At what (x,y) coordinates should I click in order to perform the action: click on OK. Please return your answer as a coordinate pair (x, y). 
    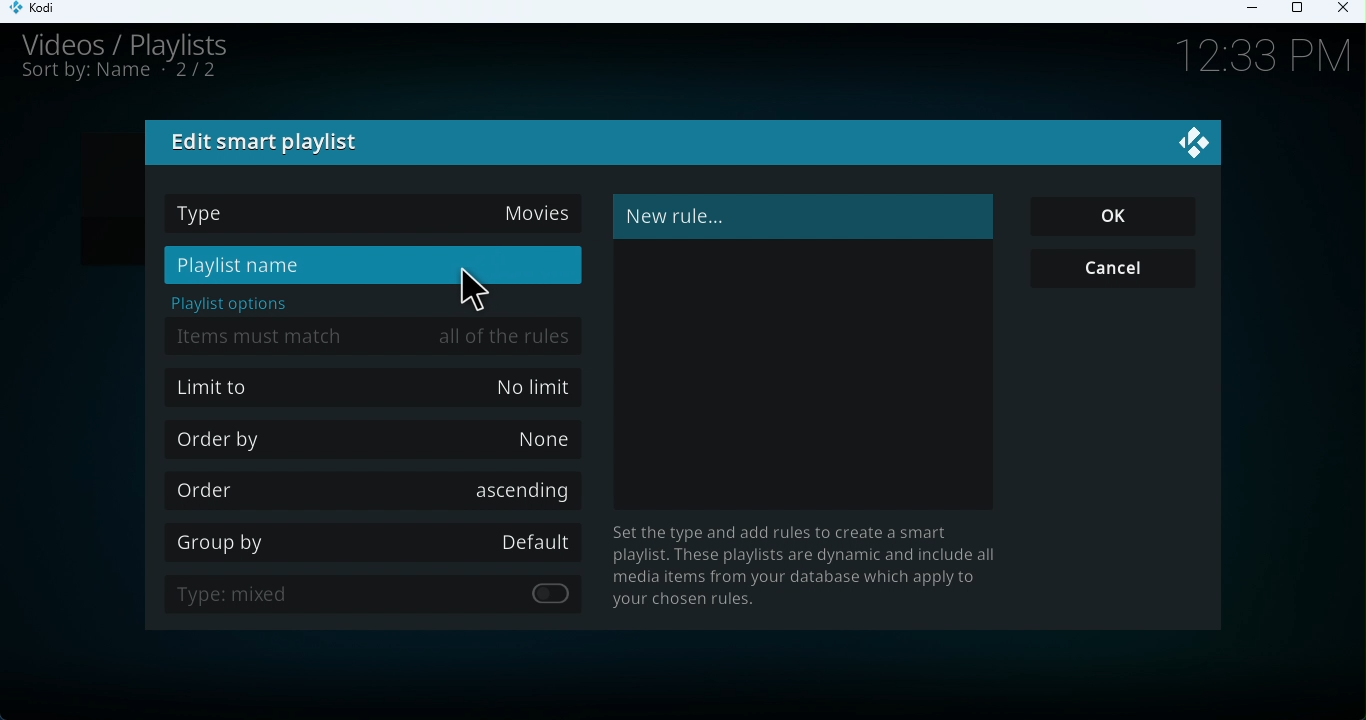
    Looking at the image, I should click on (1117, 217).